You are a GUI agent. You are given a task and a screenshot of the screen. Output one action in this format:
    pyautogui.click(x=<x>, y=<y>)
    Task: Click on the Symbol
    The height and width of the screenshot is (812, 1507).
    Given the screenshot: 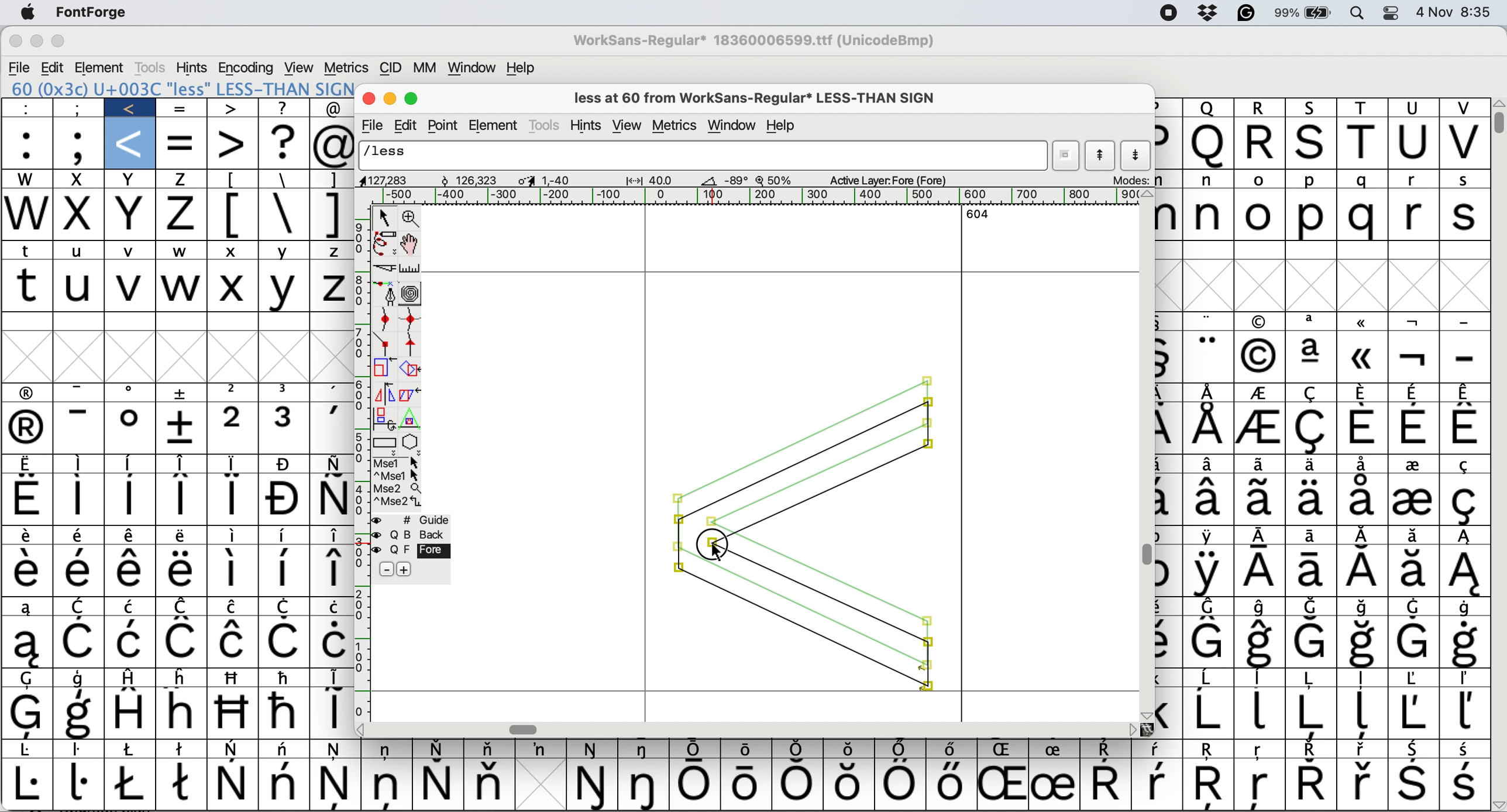 What is the action you would take?
    pyautogui.click(x=1363, y=749)
    